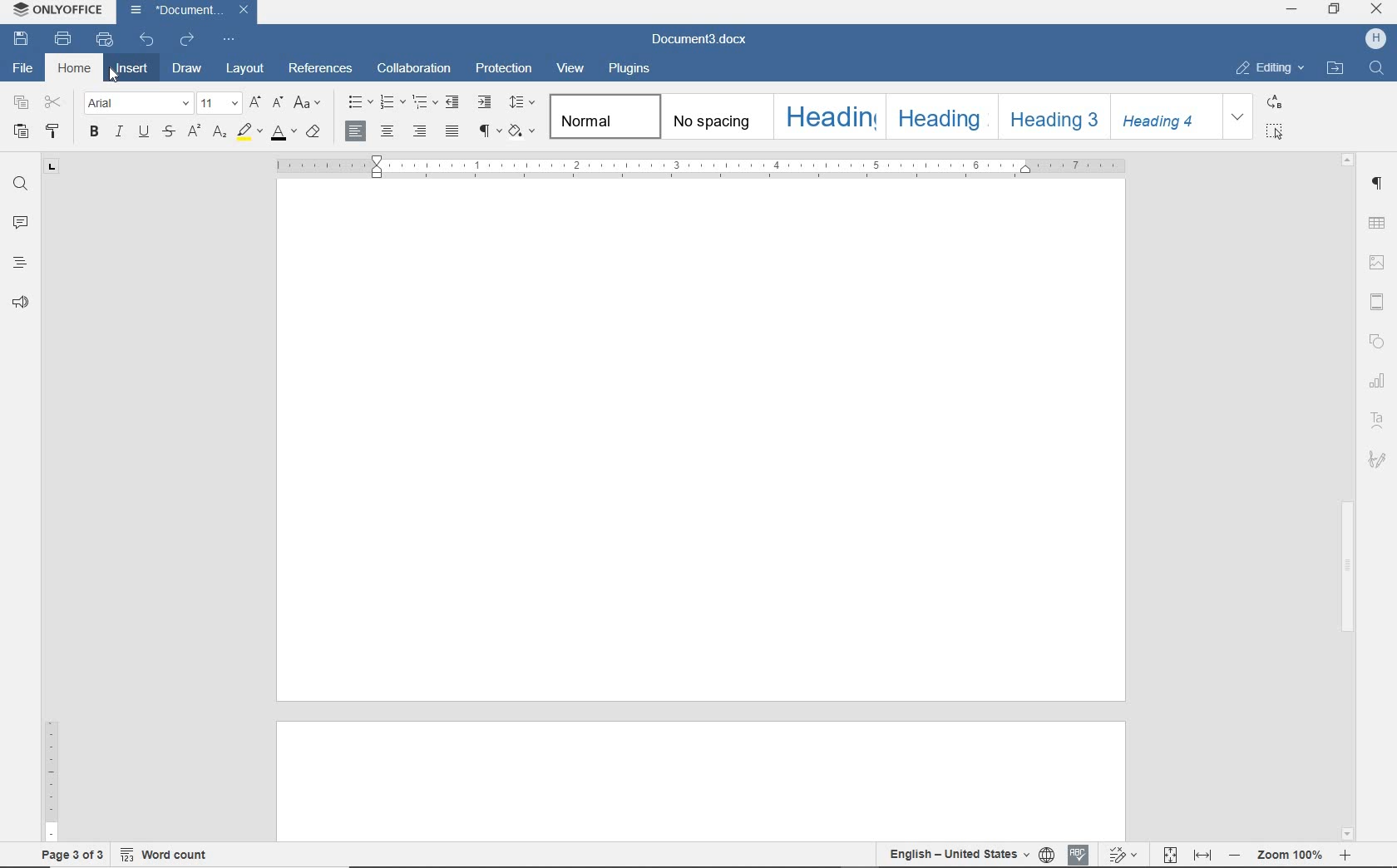 The image size is (1397, 868). Describe the element at coordinates (255, 101) in the screenshot. I see `INCREASE FONT SIZE` at that location.